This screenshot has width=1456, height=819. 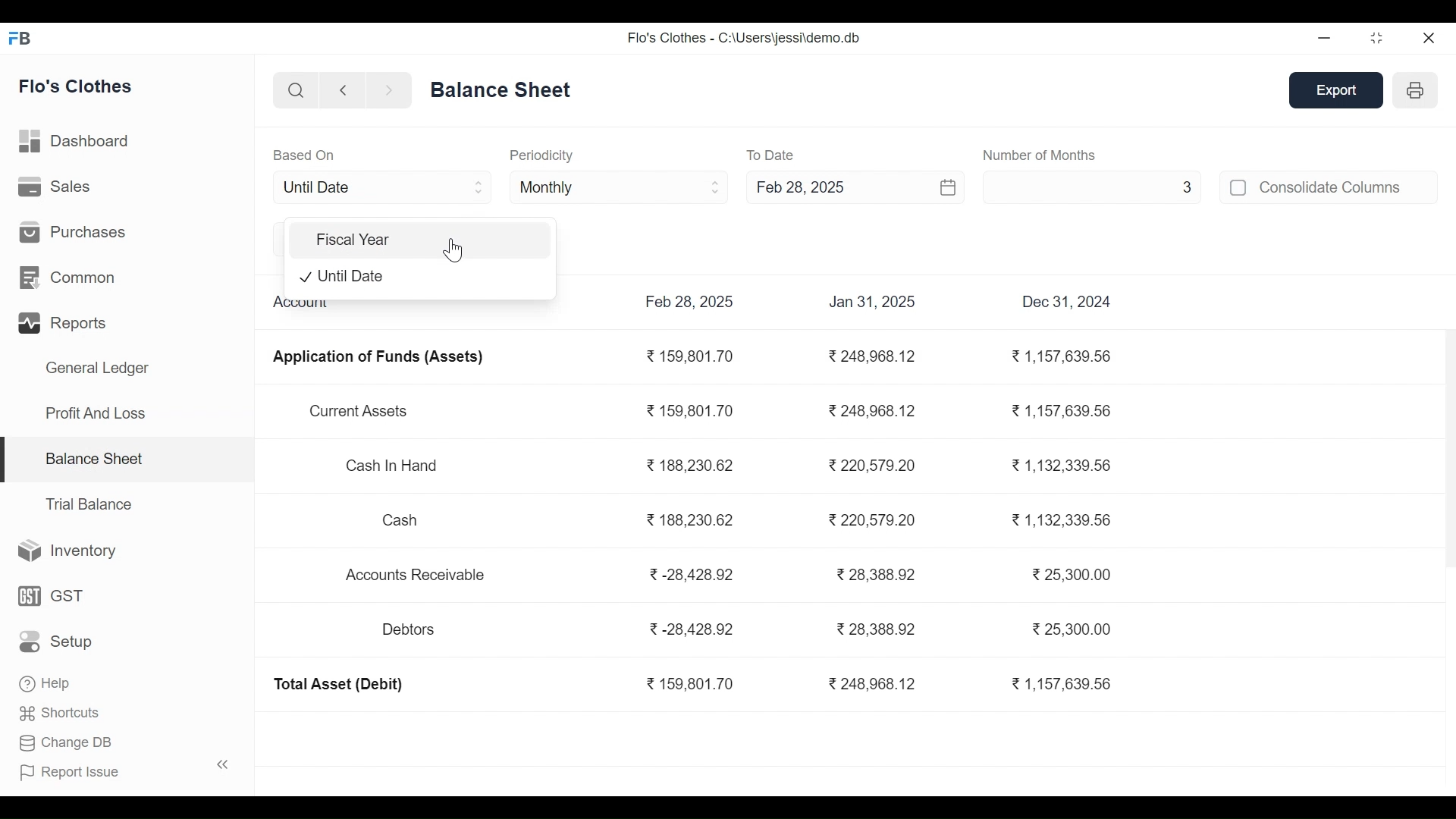 I want to click on cursor, so click(x=457, y=247).